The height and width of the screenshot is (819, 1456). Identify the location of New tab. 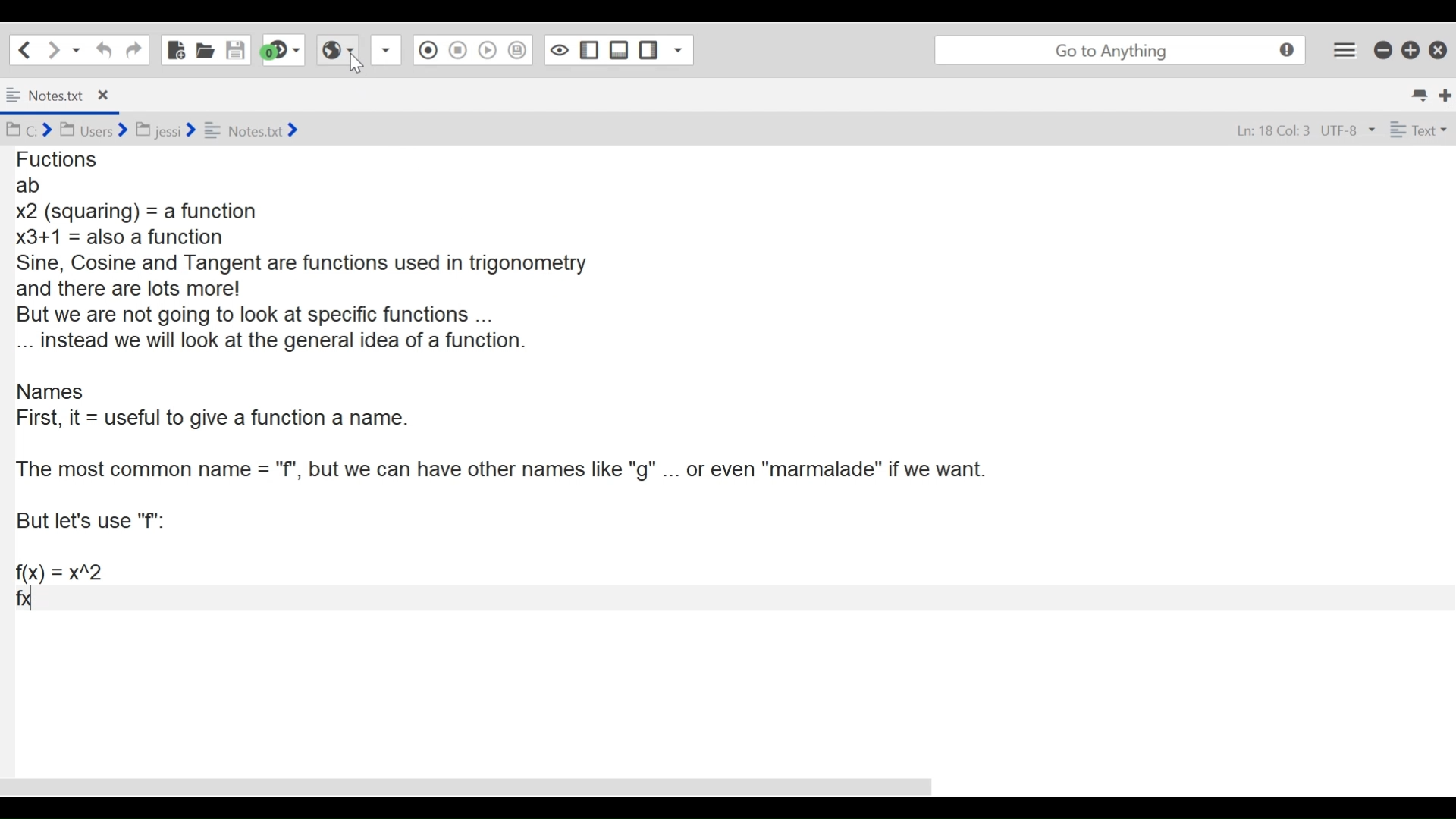
(1442, 94).